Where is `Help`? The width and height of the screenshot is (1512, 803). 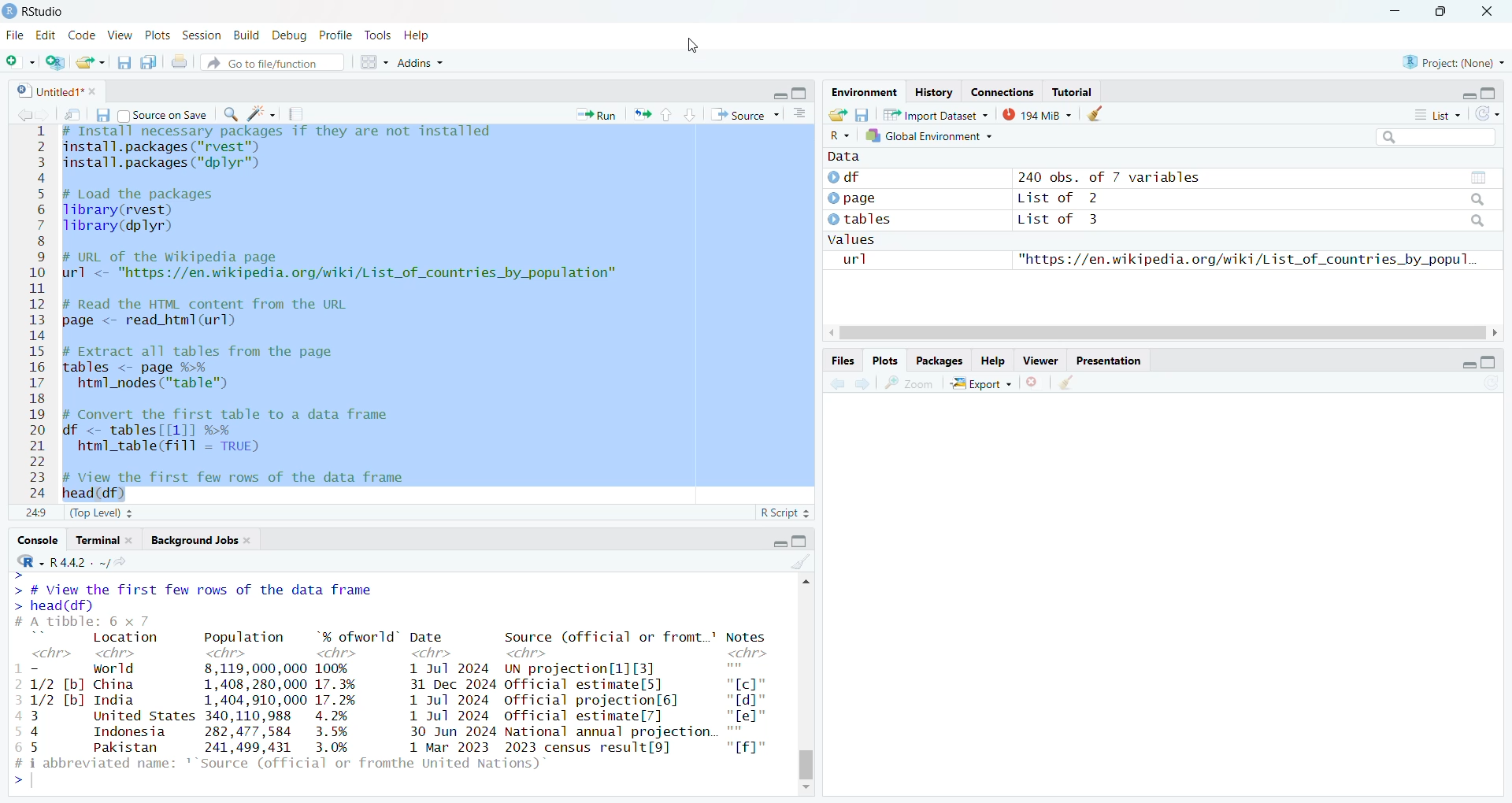
Help is located at coordinates (994, 361).